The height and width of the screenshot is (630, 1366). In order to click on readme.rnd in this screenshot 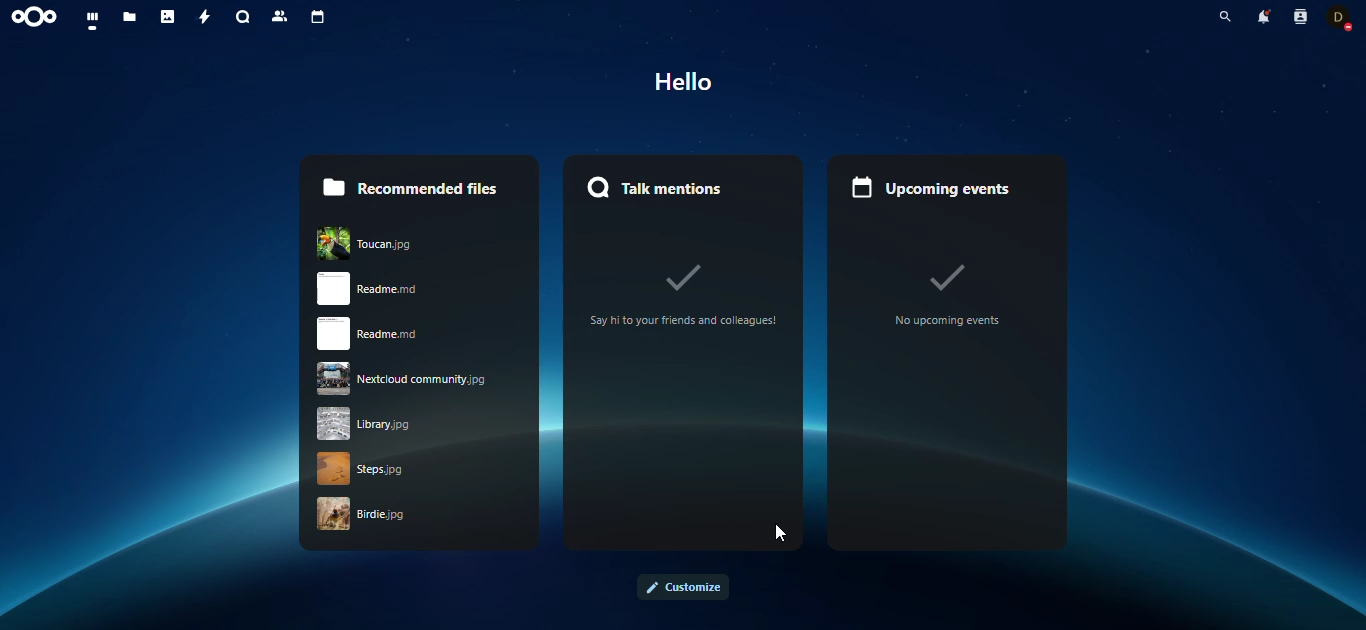, I will do `click(404, 334)`.